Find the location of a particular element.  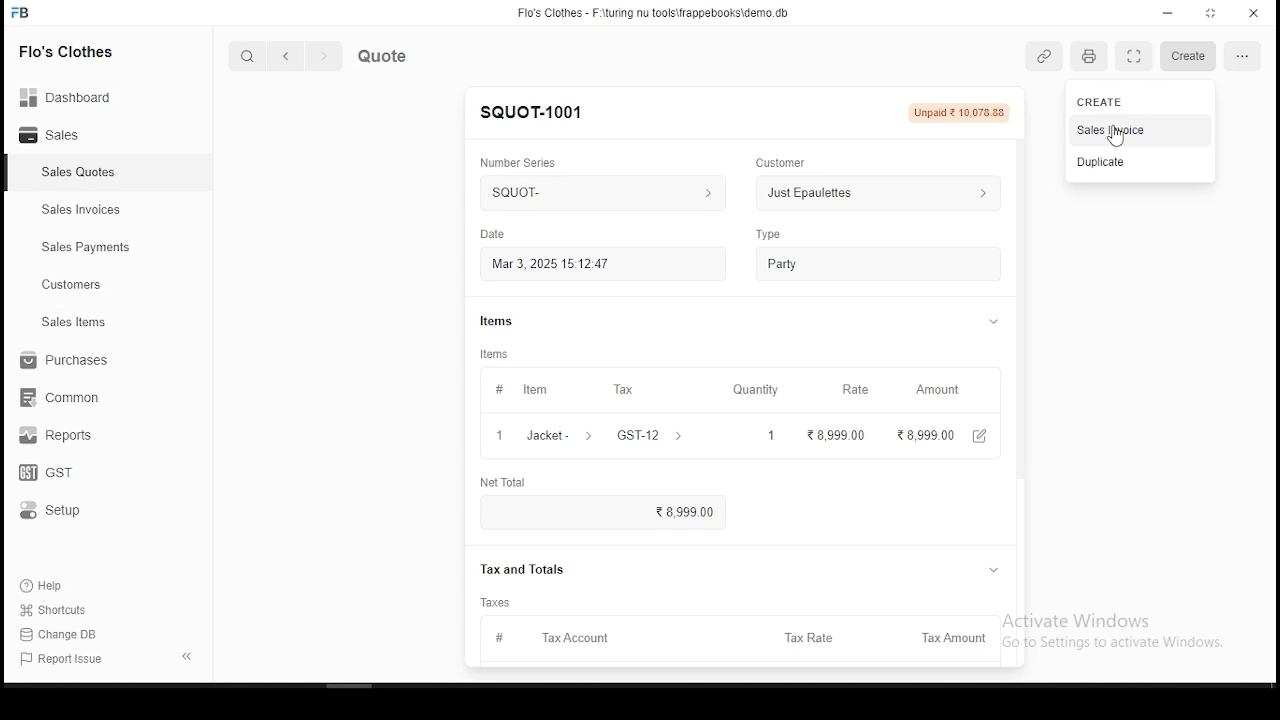

shortouts is located at coordinates (54, 610).